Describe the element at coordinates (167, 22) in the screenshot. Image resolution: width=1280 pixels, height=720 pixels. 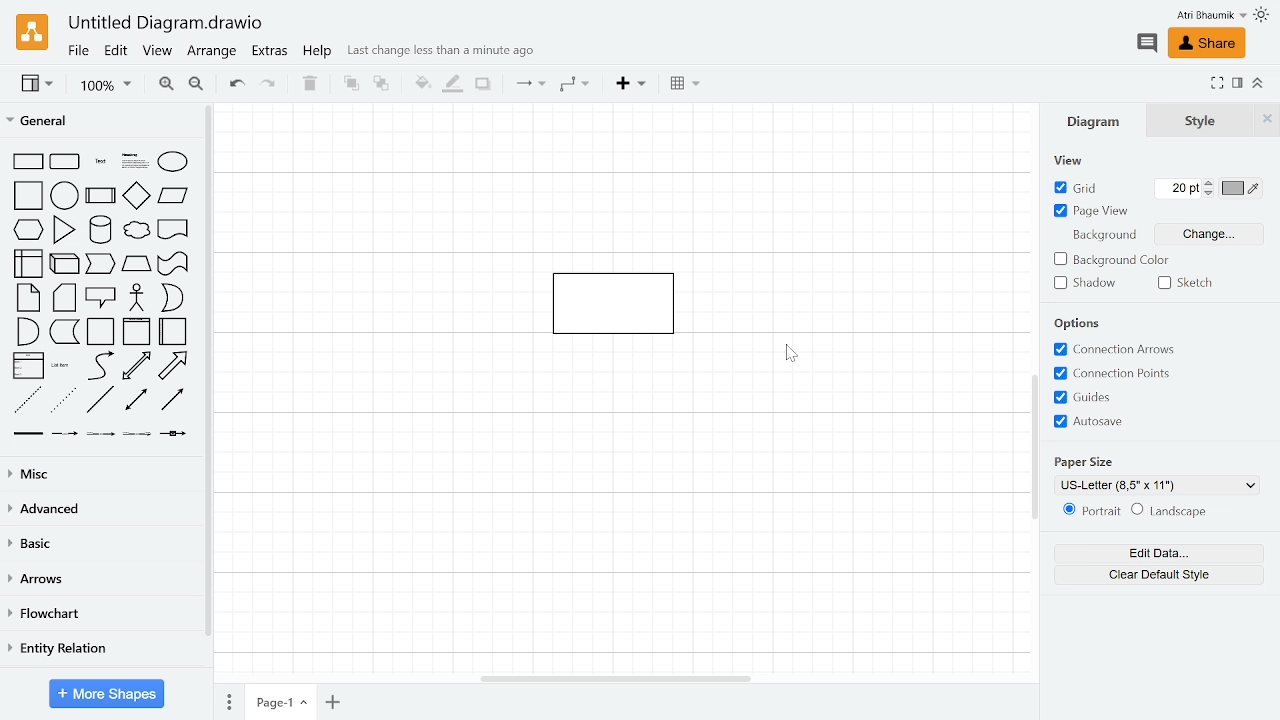
I see `Current window` at that location.